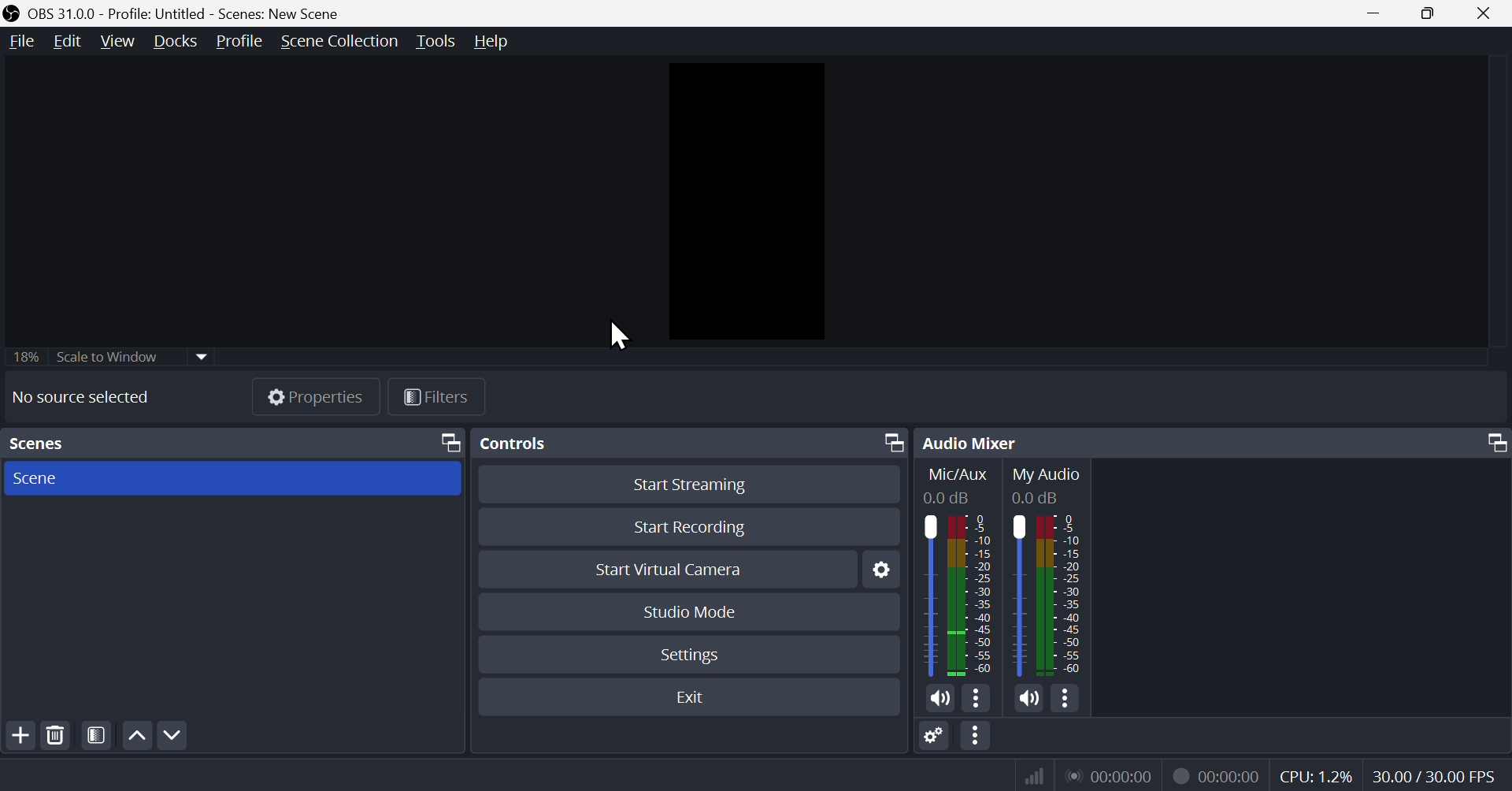 The height and width of the screenshot is (791, 1512). Describe the element at coordinates (977, 738) in the screenshot. I see `More option` at that location.